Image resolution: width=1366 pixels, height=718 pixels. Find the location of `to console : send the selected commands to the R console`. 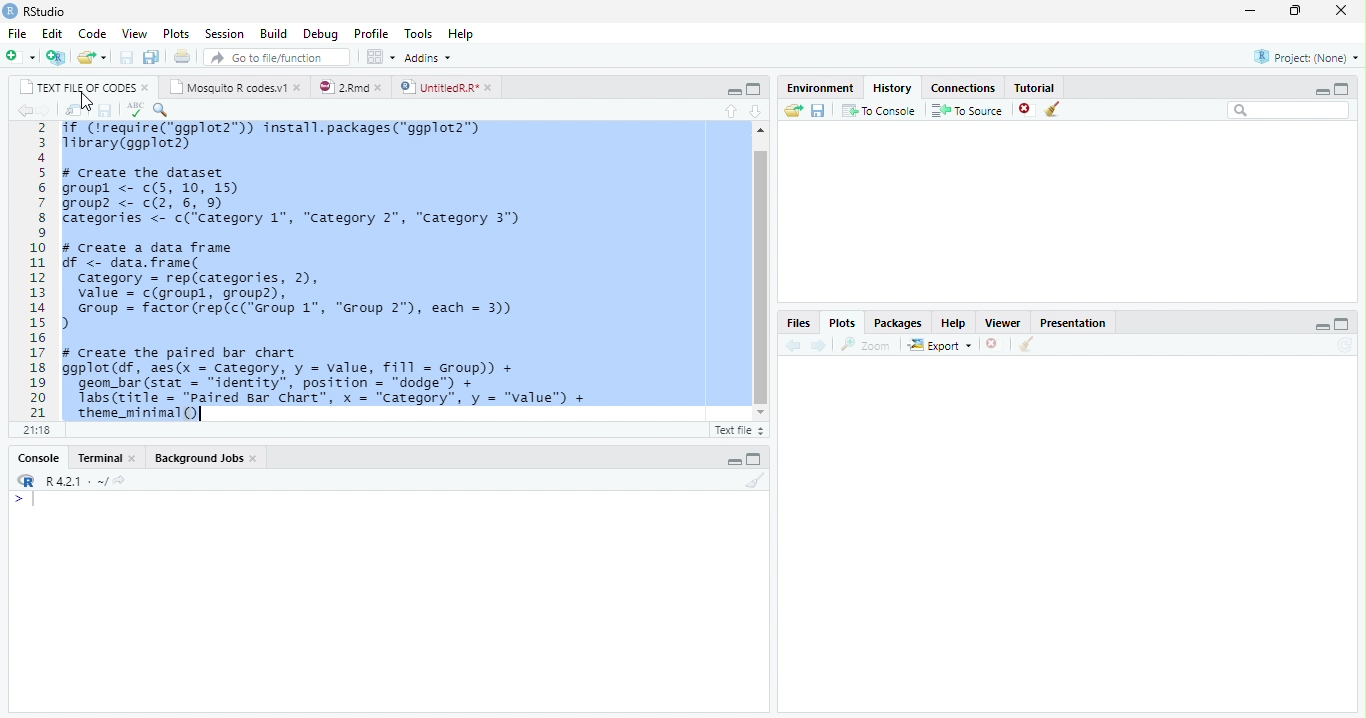

to console : send the selected commands to the R console is located at coordinates (877, 110).